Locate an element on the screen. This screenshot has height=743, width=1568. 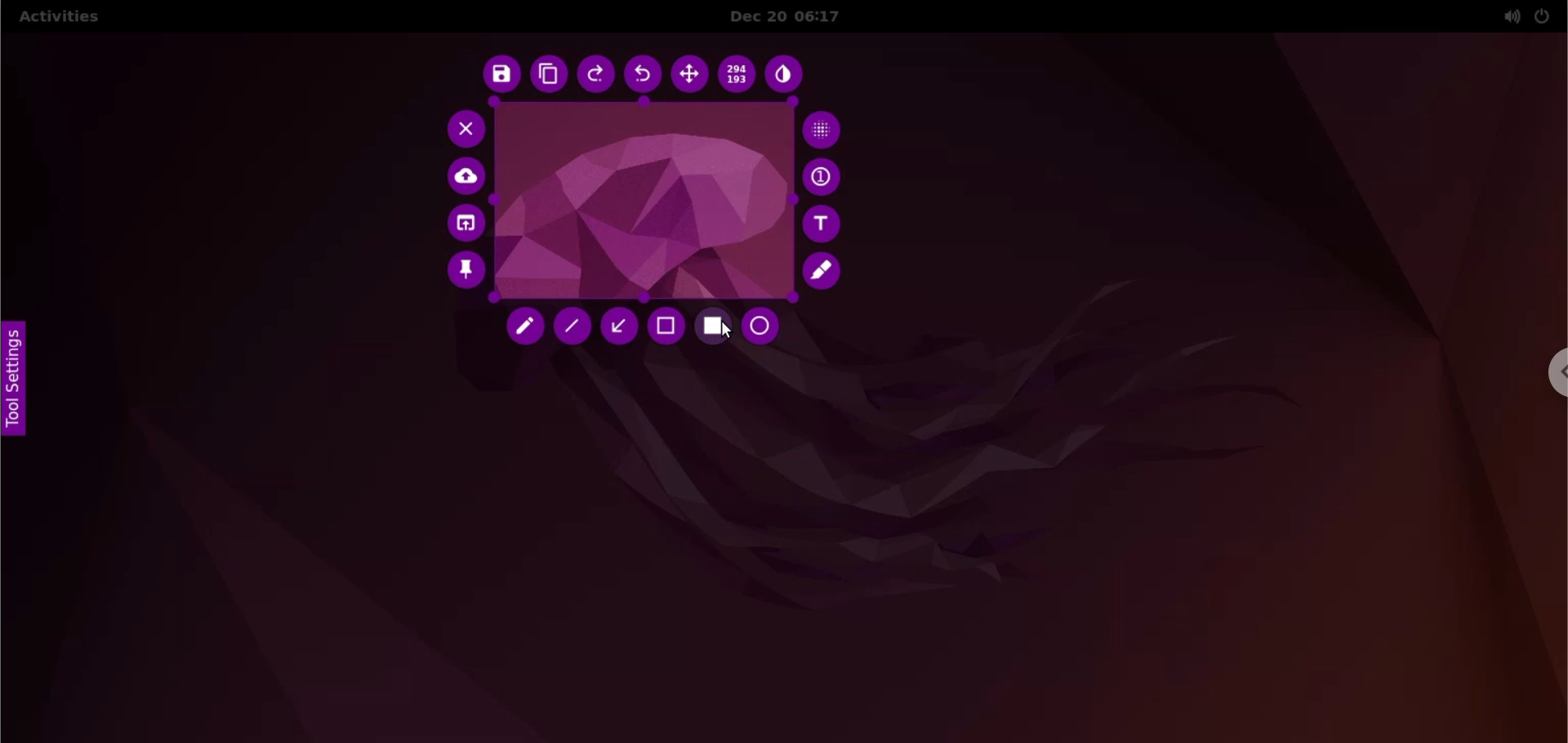
chrome options is located at coordinates (1554, 372).